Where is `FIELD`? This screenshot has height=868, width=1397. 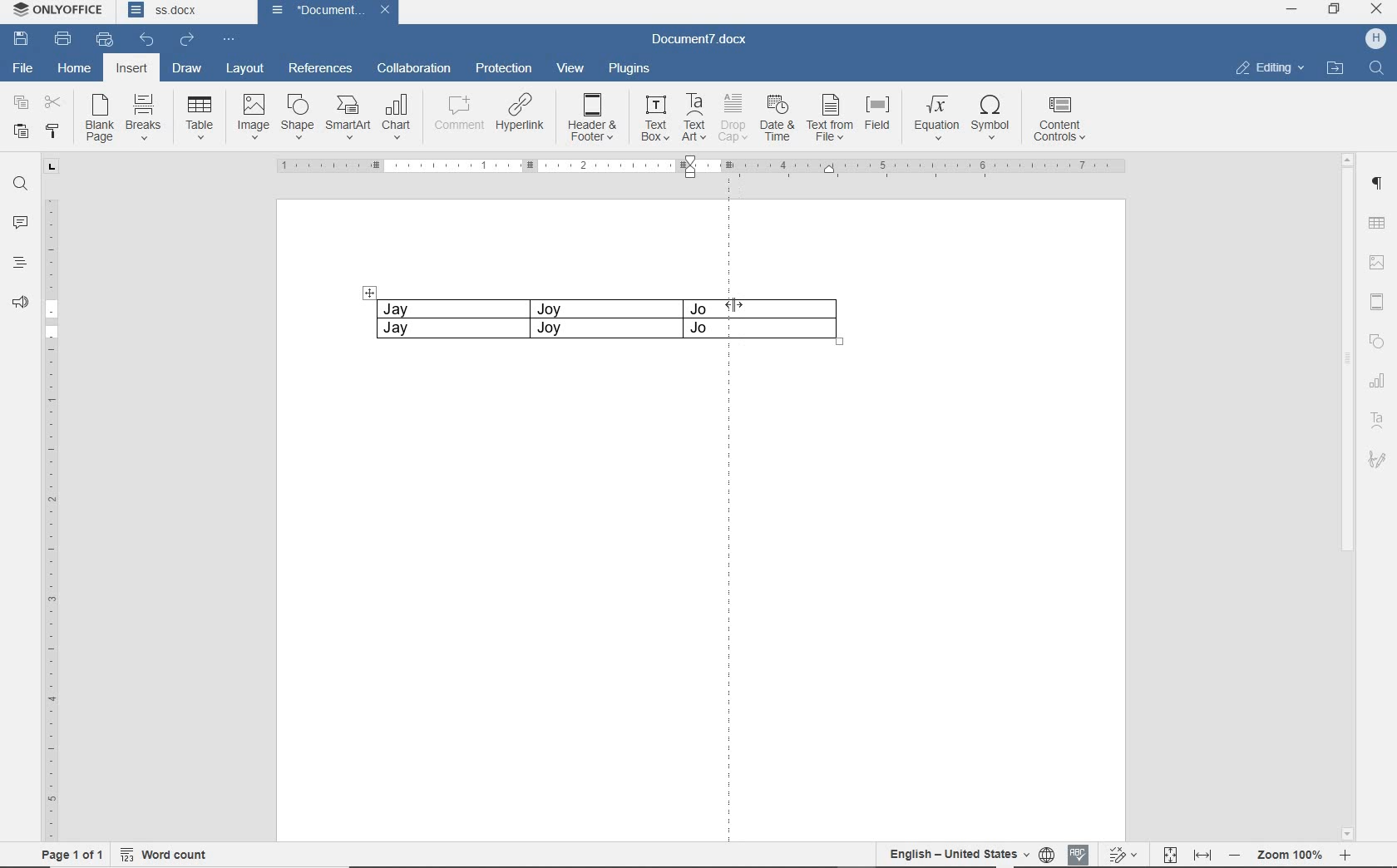 FIELD is located at coordinates (876, 116).